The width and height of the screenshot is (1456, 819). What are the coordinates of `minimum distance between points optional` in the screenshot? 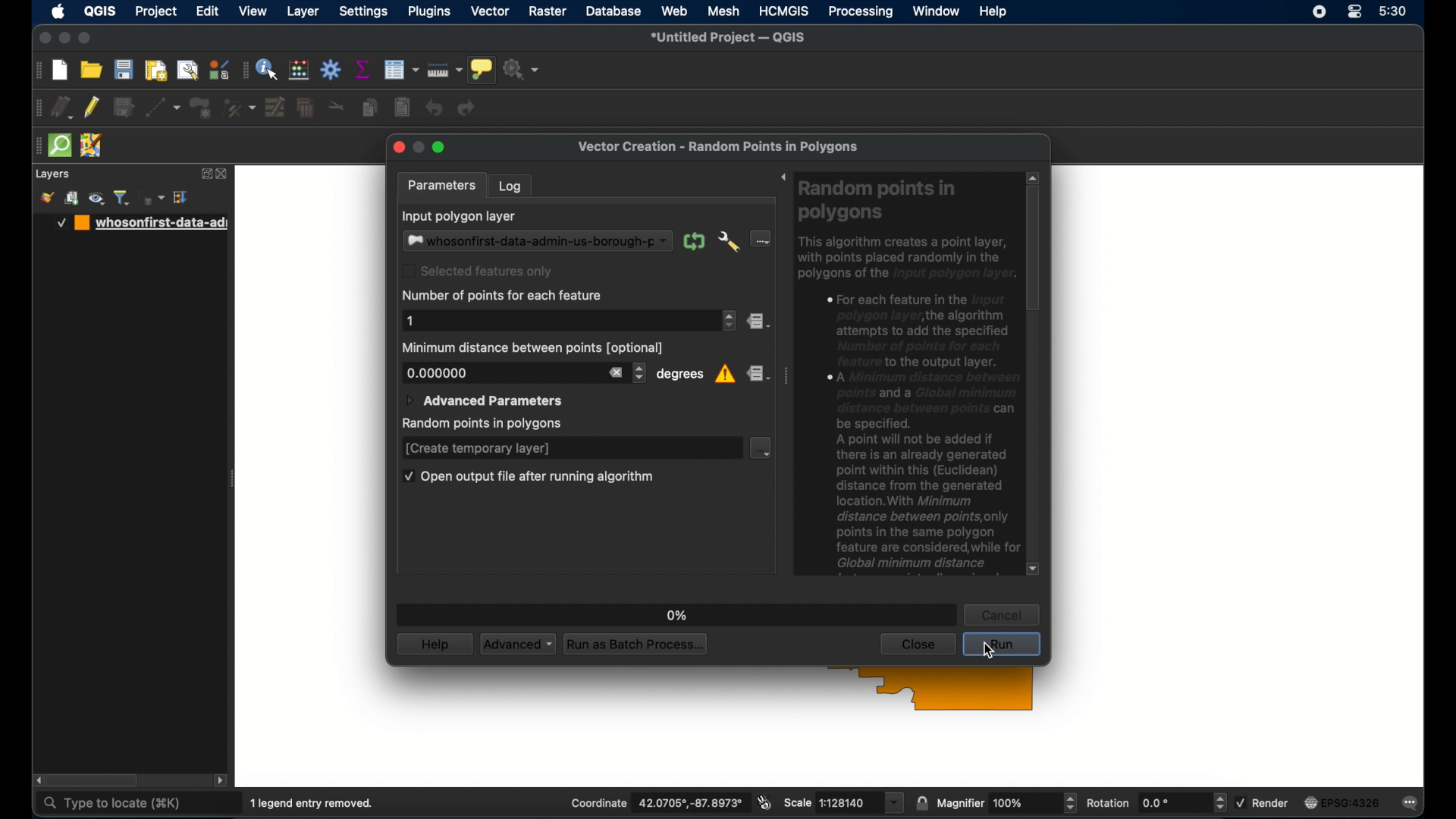 It's located at (535, 347).